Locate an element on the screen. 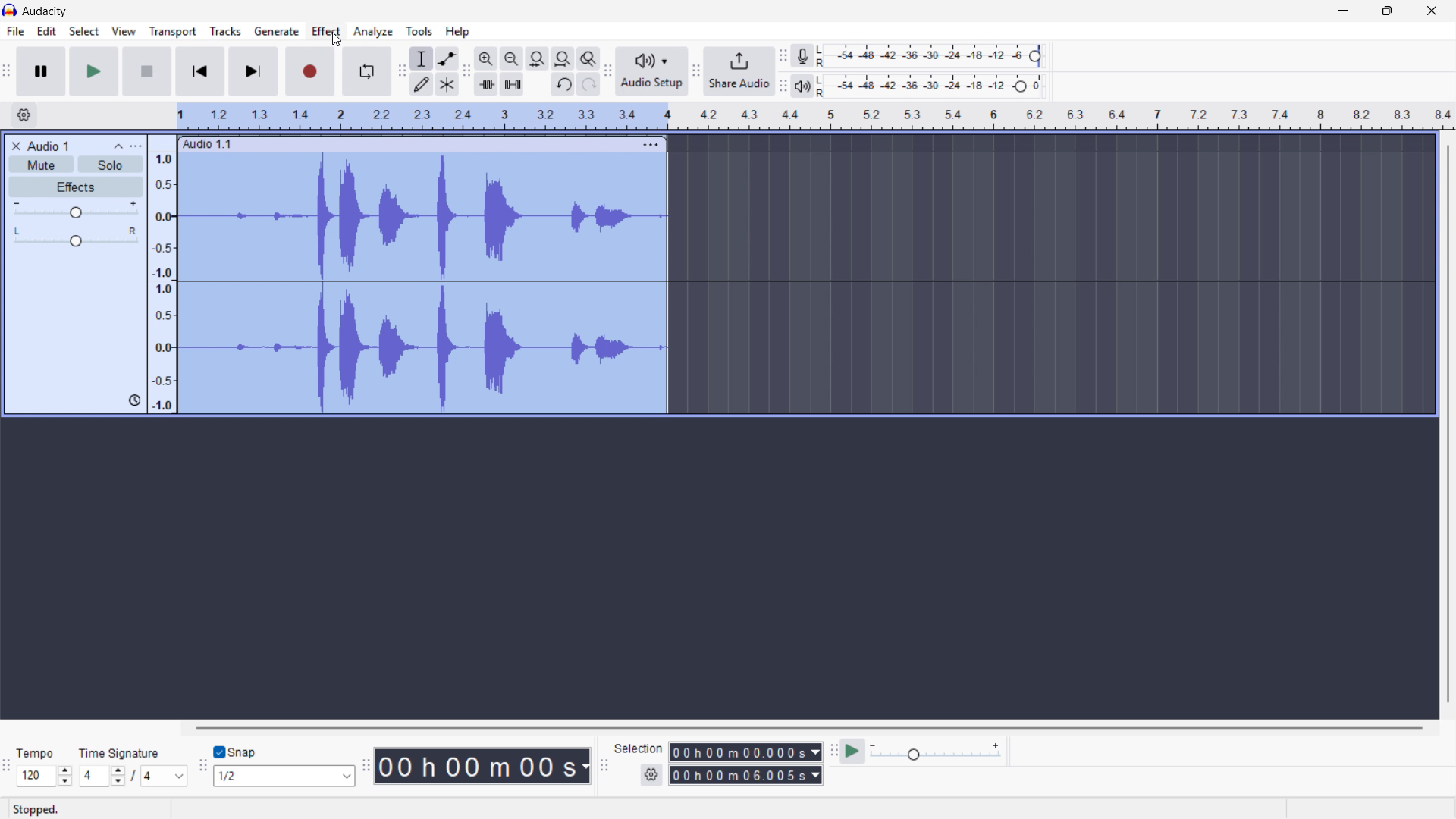 Image resolution: width=1456 pixels, height=819 pixels. Click to drag is located at coordinates (407, 143).